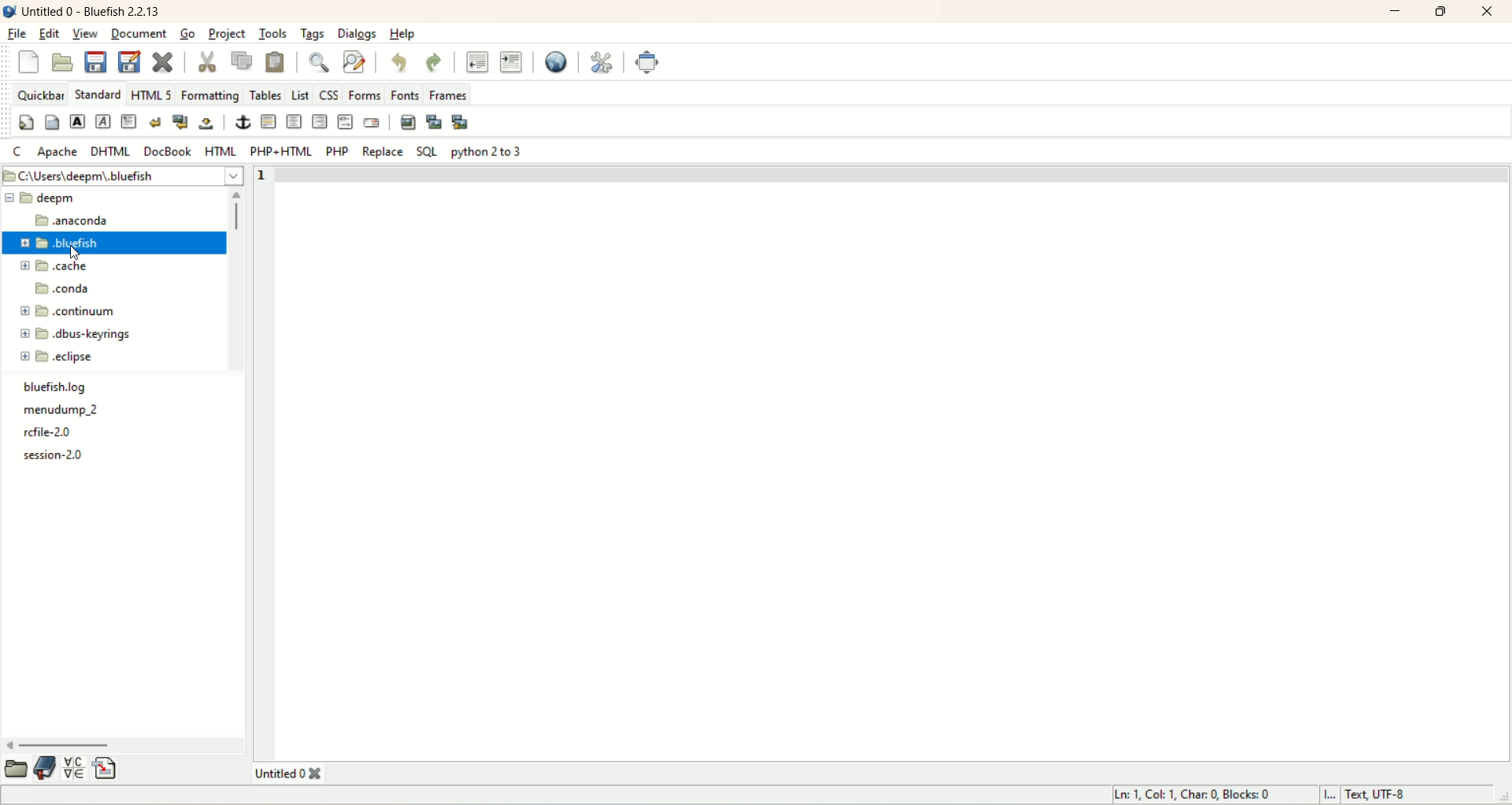 This screenshot has height=805, width=1512. Describe the element at coordinates (17, 34) in the screenshot. I see `file` at that location.